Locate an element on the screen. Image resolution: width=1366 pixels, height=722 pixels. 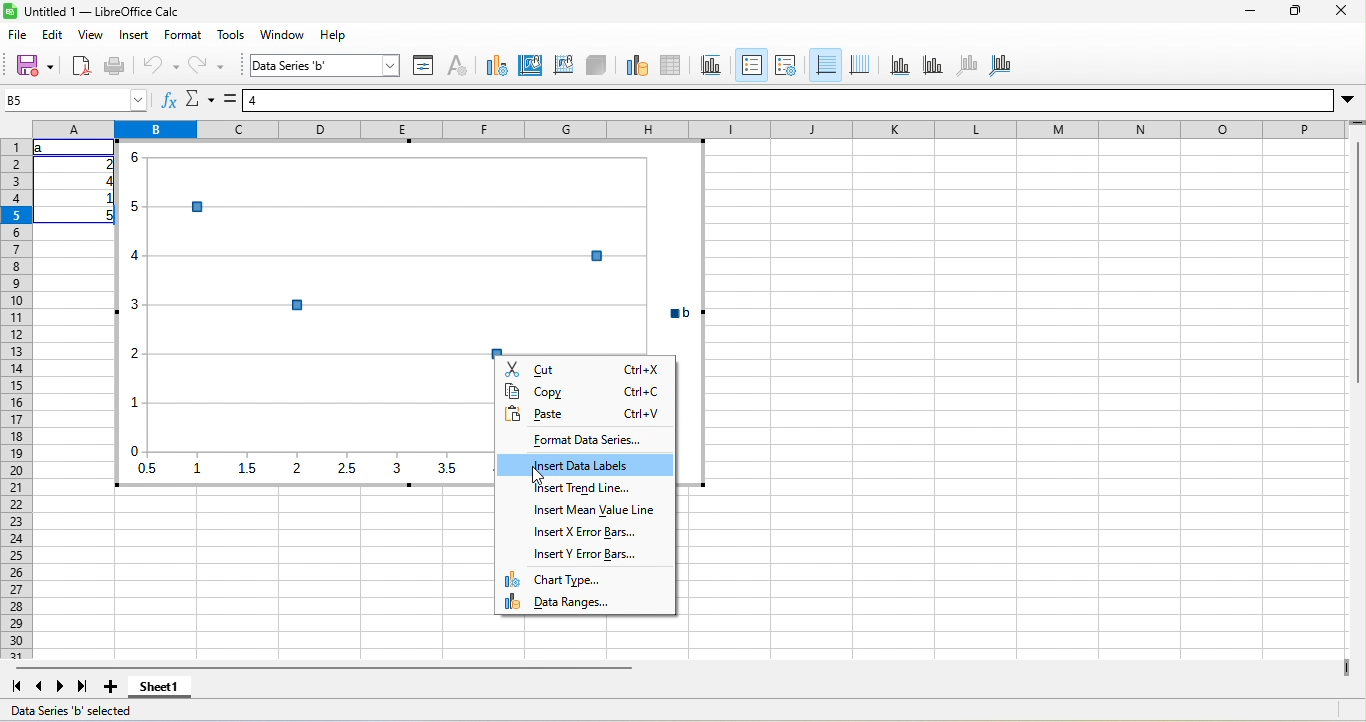
copy is located at coordinates (584, 391).